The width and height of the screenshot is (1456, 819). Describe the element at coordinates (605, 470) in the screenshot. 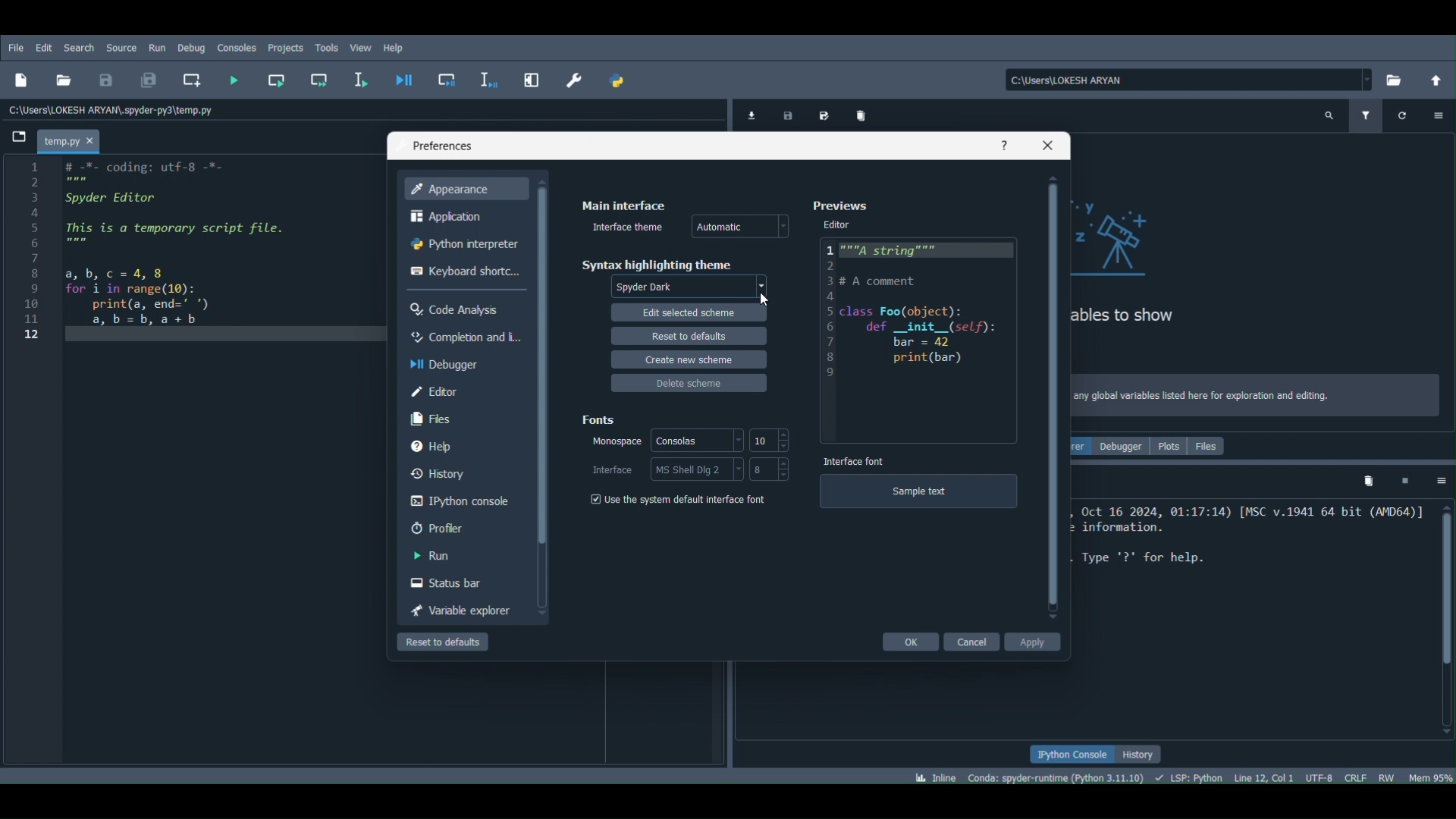

I see `Interfaces` at that location.